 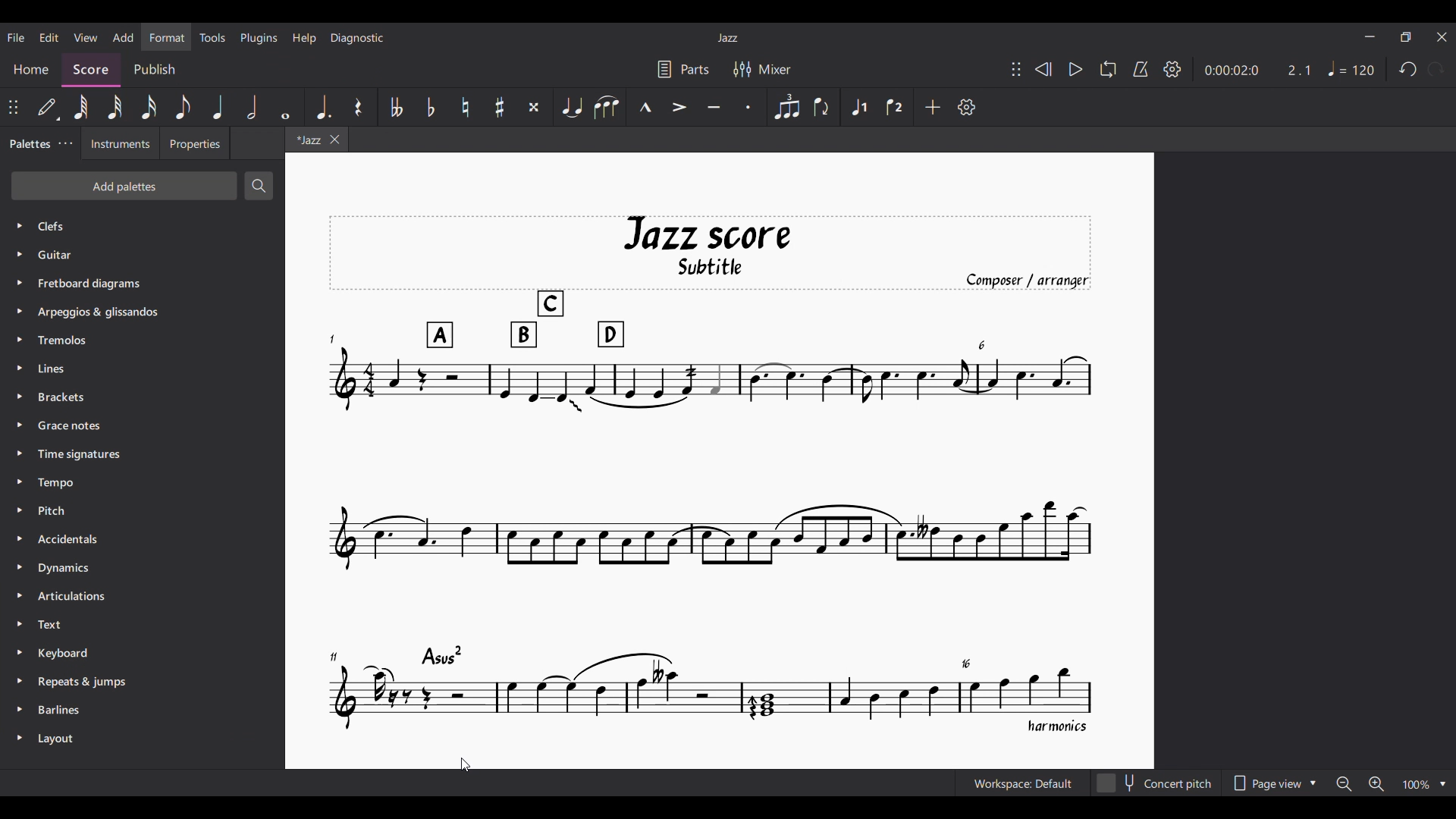 I want to click on Toggle double flat, so click(x=396, y=107).